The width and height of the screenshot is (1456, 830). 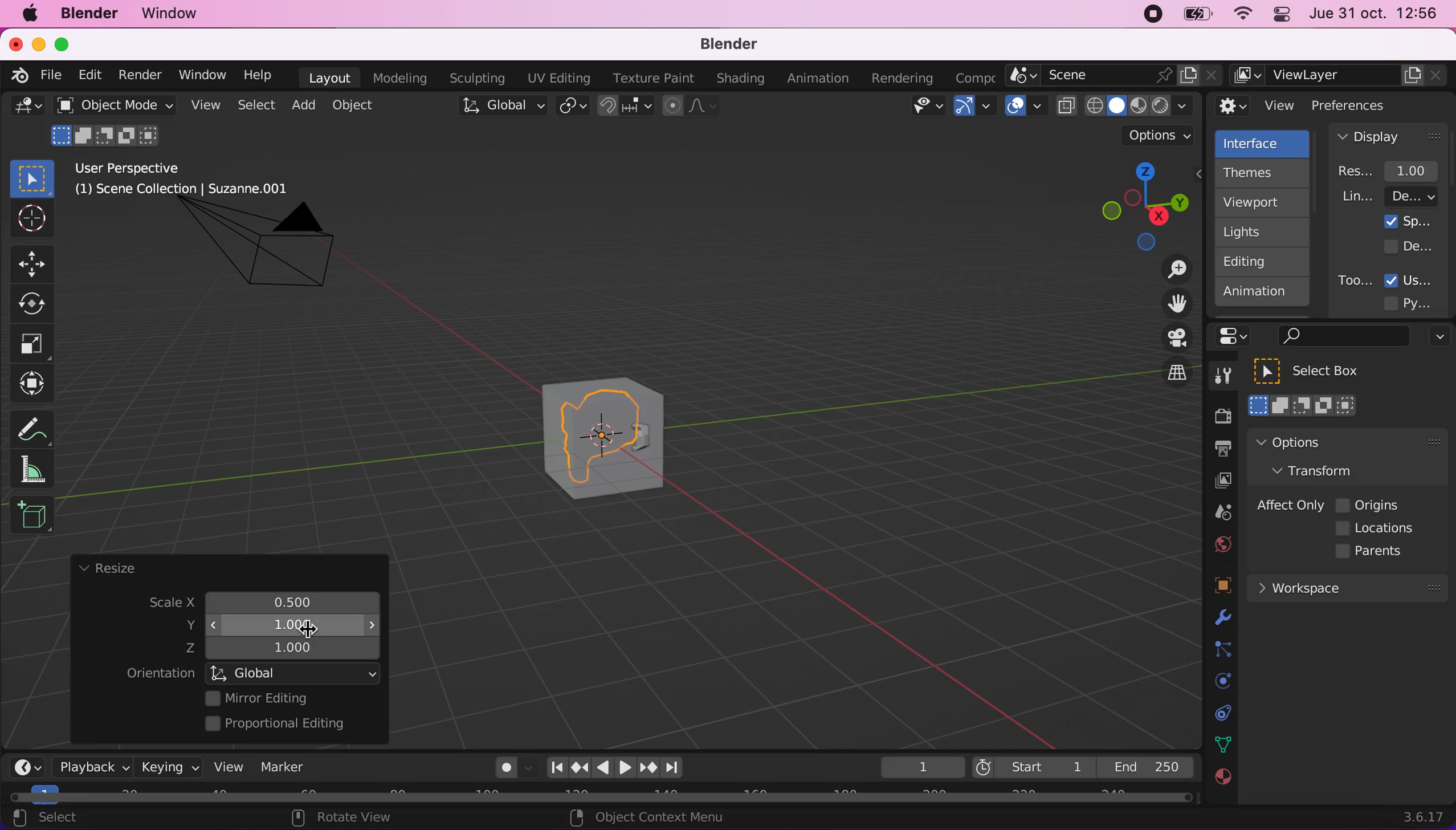 I want to click on transform, so click(x=35, y=384).